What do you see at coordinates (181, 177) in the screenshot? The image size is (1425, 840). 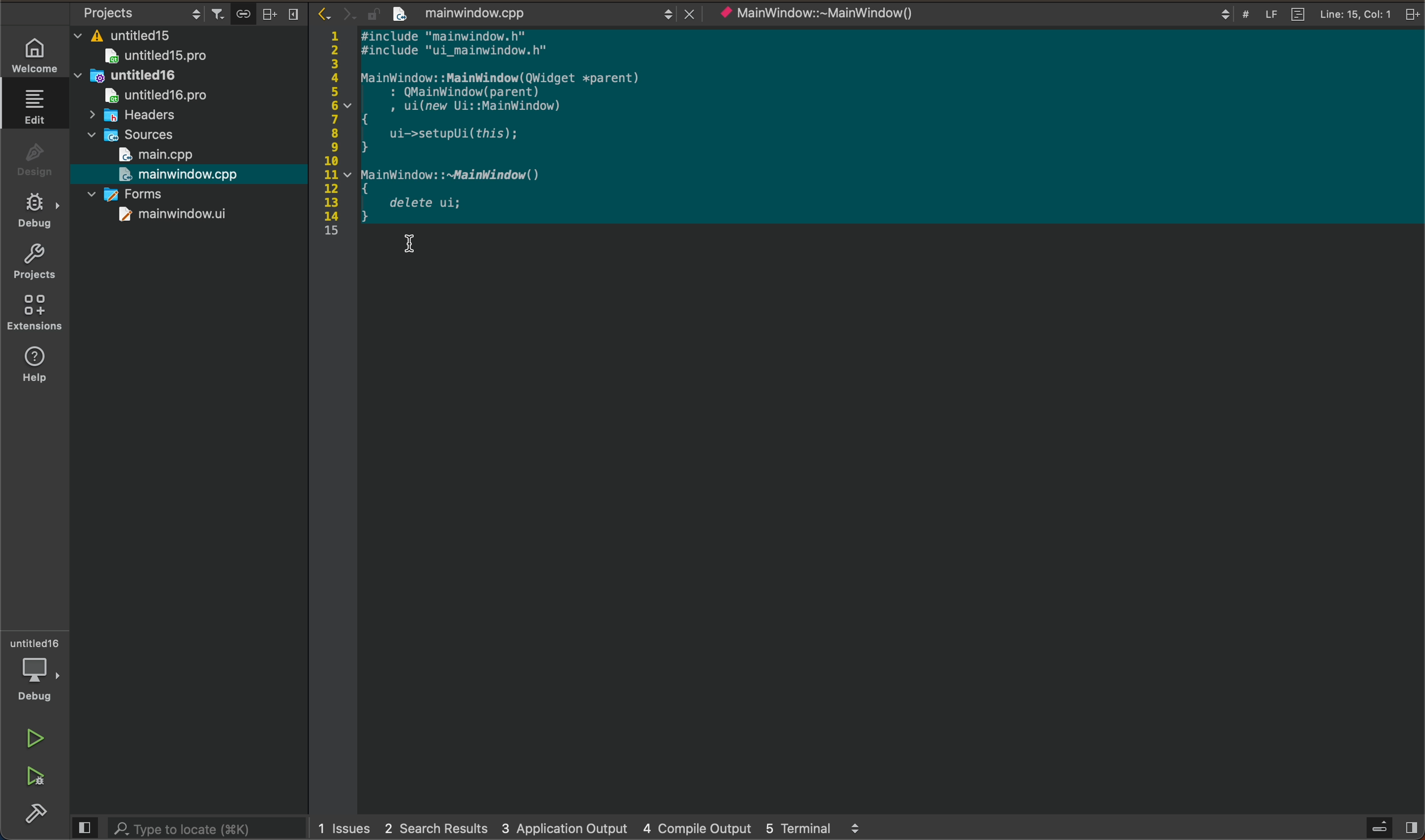 I see `mainwindow.cpp` at bounding box center [181, 177].